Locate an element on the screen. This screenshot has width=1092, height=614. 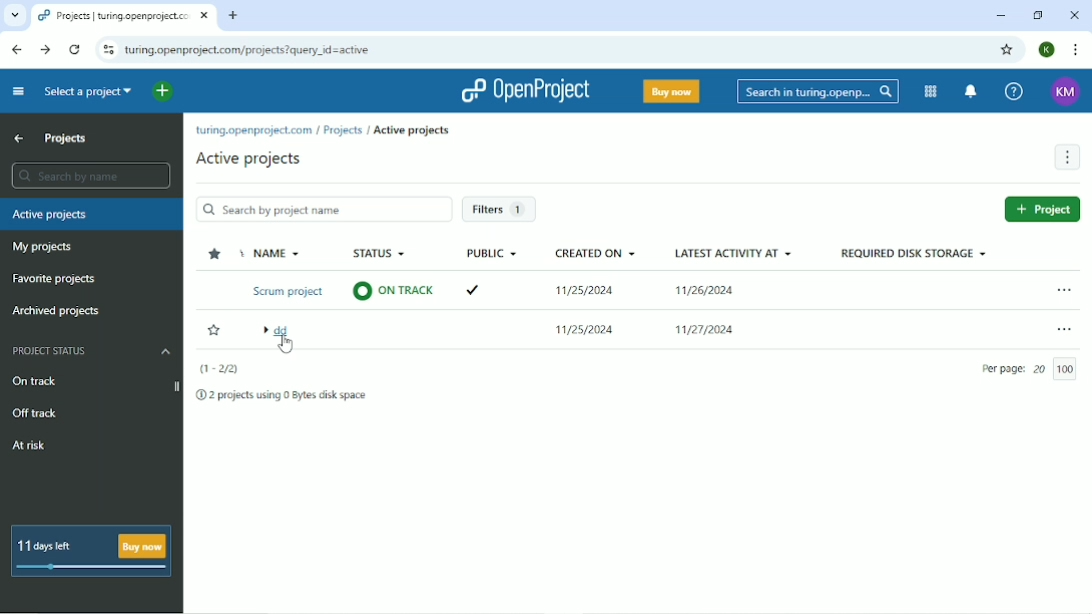
Search by name is located at coordinates (89, 176).